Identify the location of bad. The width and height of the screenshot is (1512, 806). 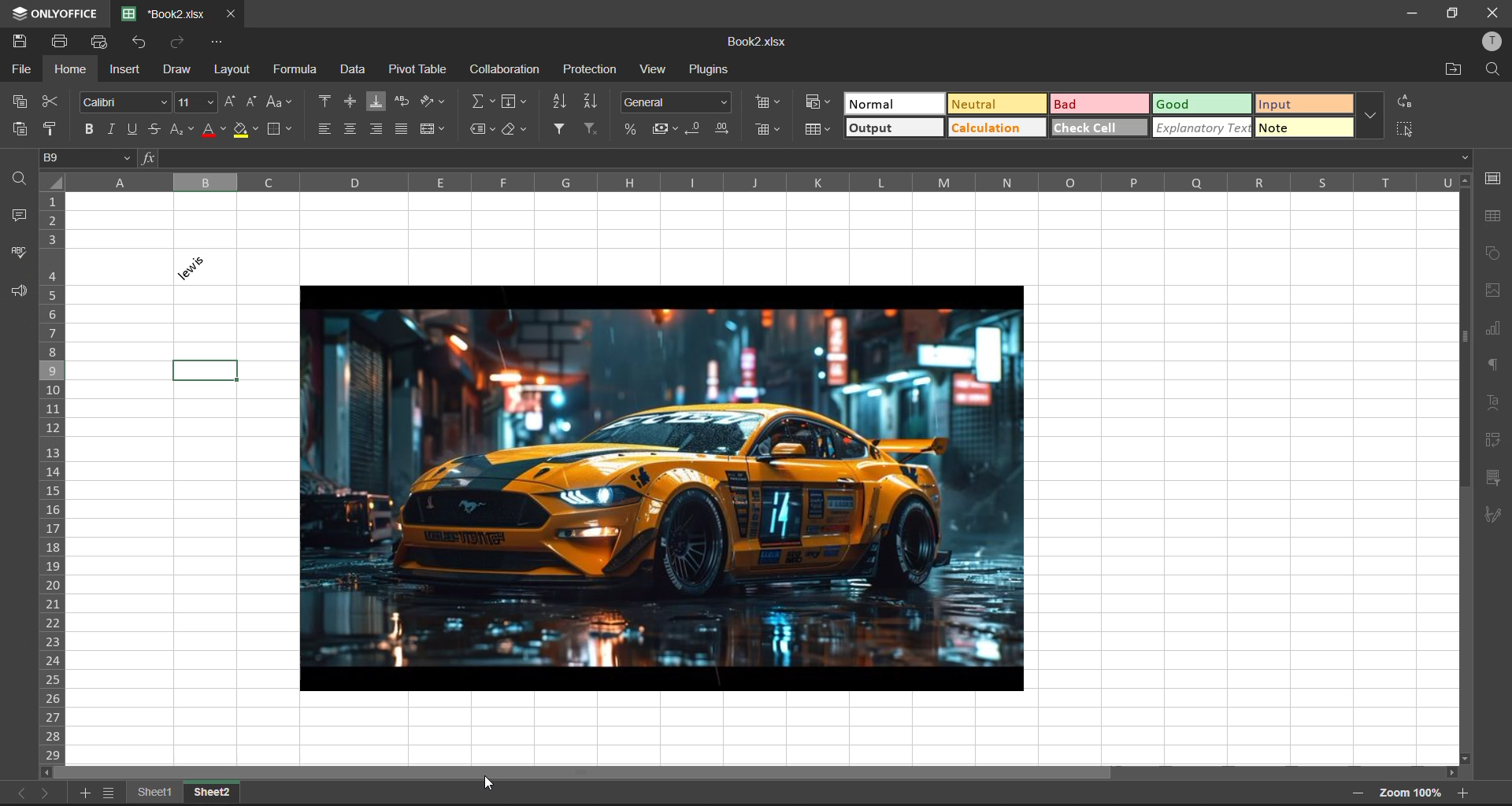
(1102, 104).